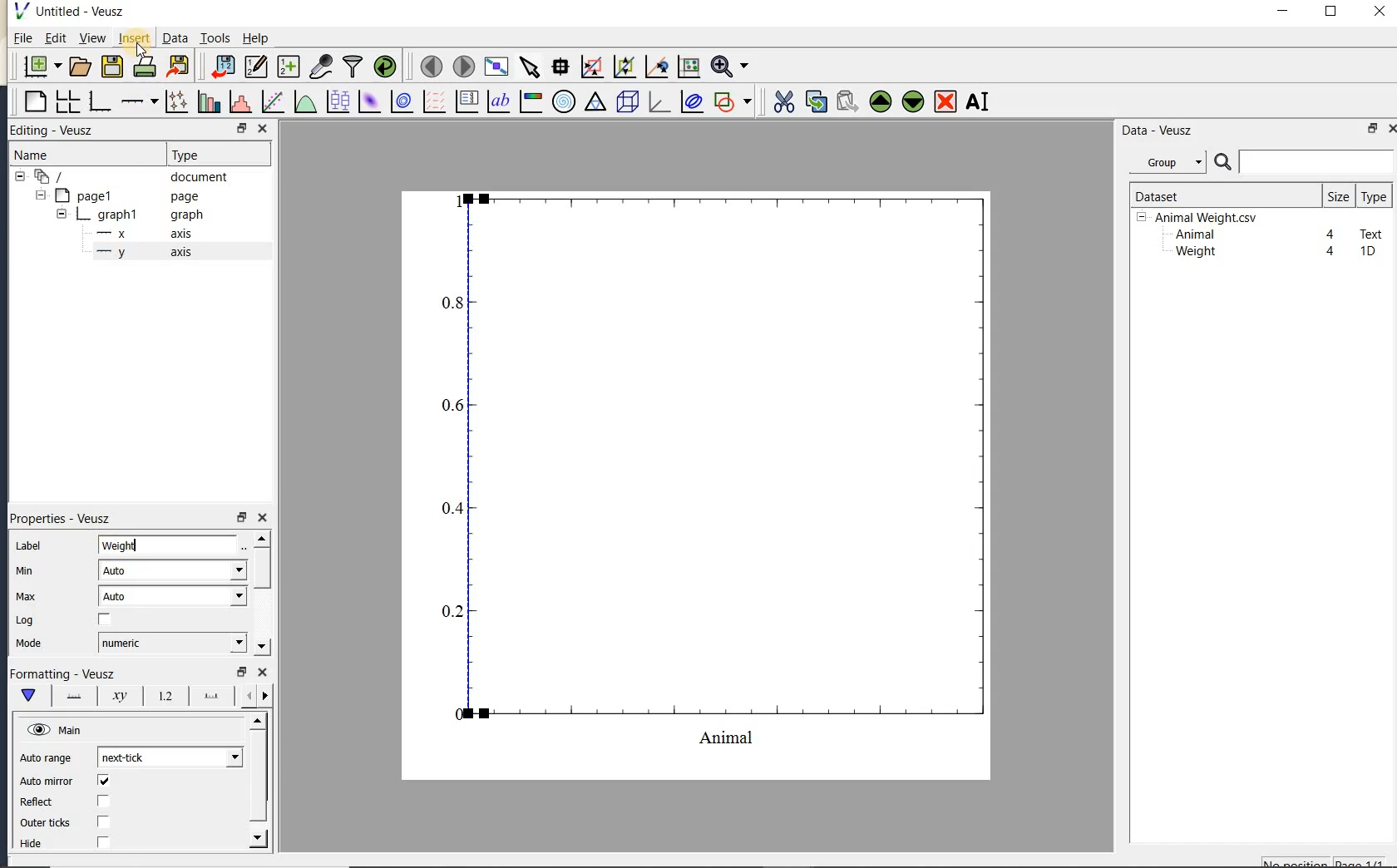 Image resolution: width=1397 pixels, height=868 pixels. Describe the element at coordinates (47, 822) in the screenshot. I see `Outer ticks` at that location.